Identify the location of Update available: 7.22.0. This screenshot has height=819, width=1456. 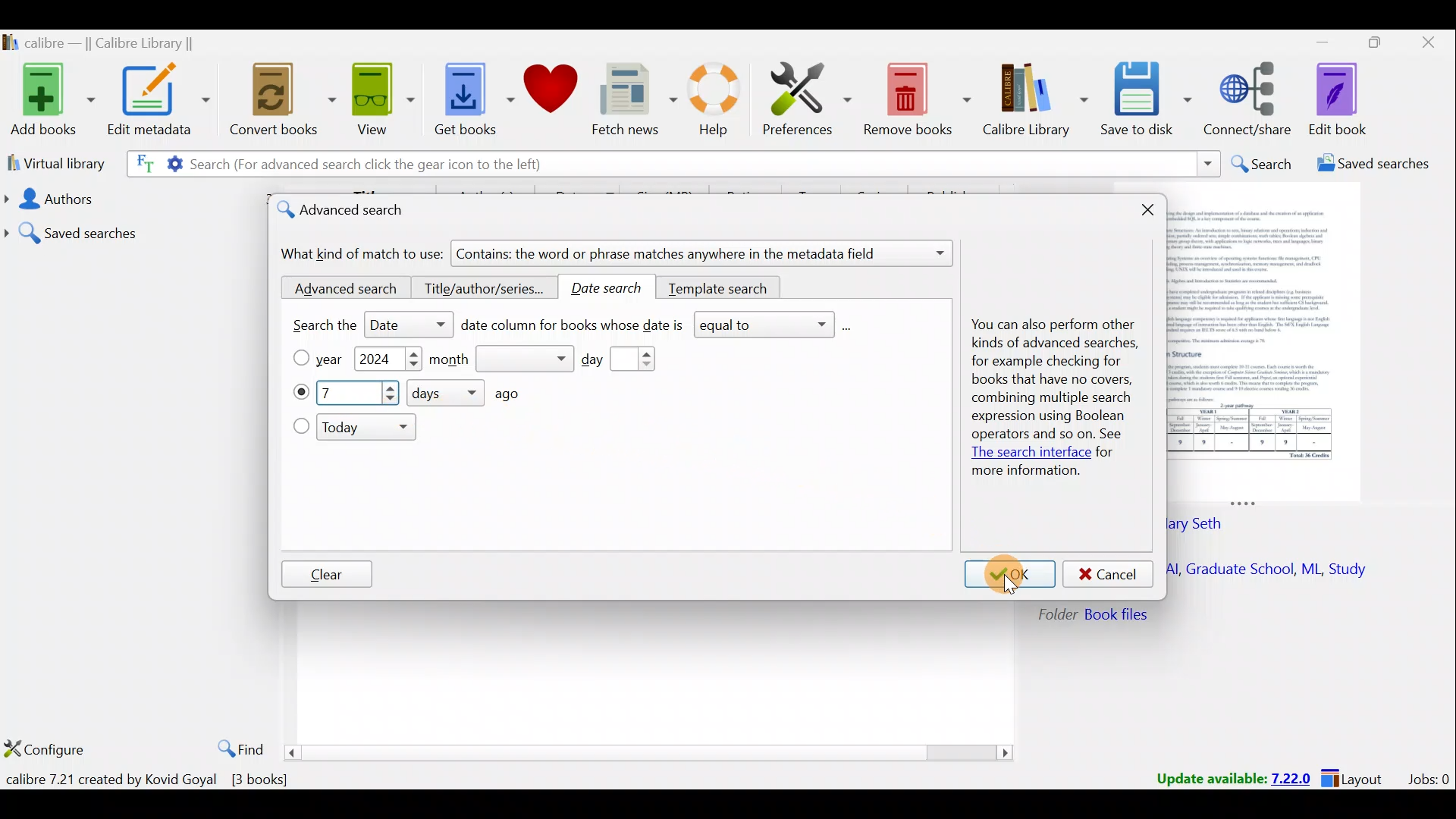
(1225, 777).